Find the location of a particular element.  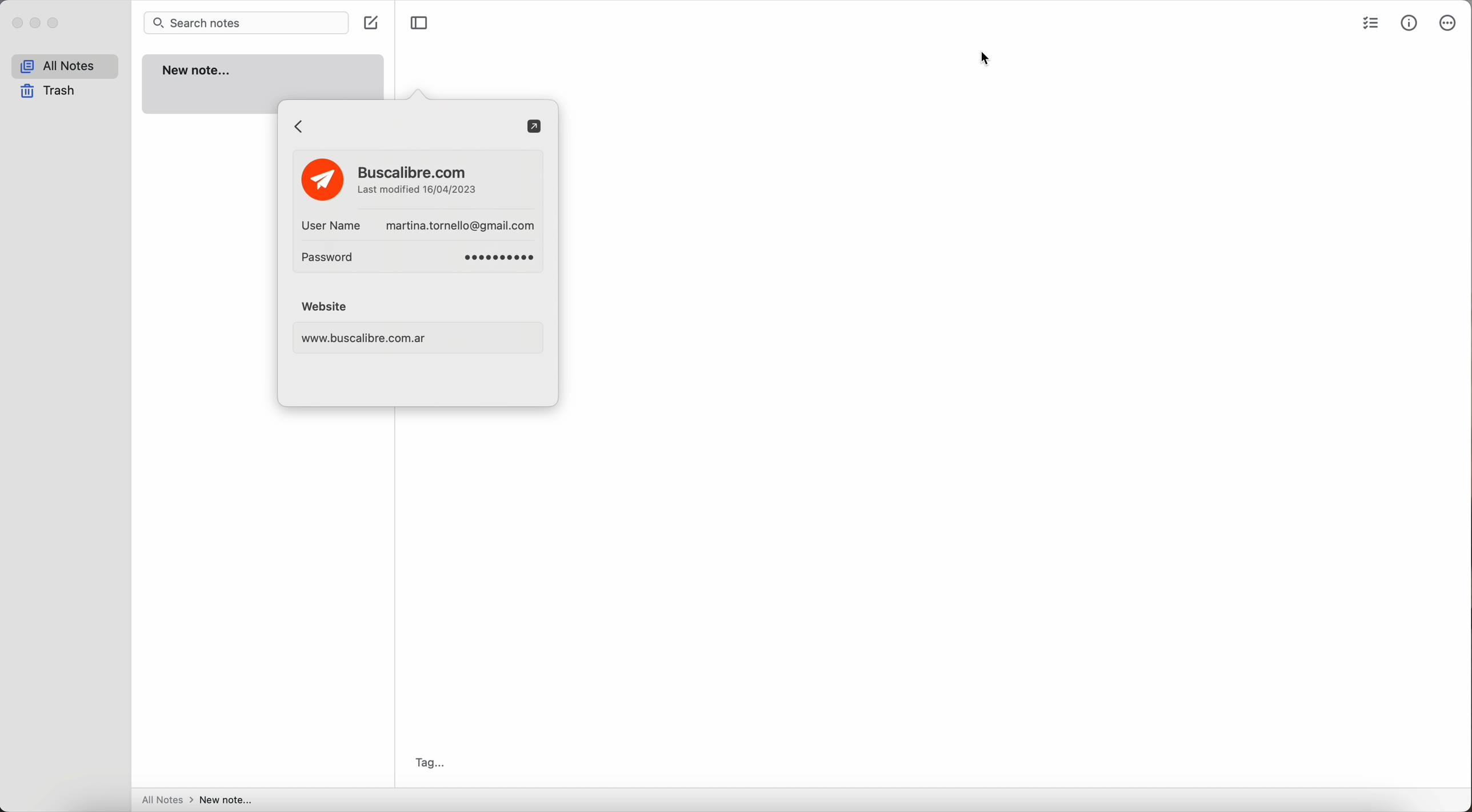

search bar is located at coordinates (399, 126).